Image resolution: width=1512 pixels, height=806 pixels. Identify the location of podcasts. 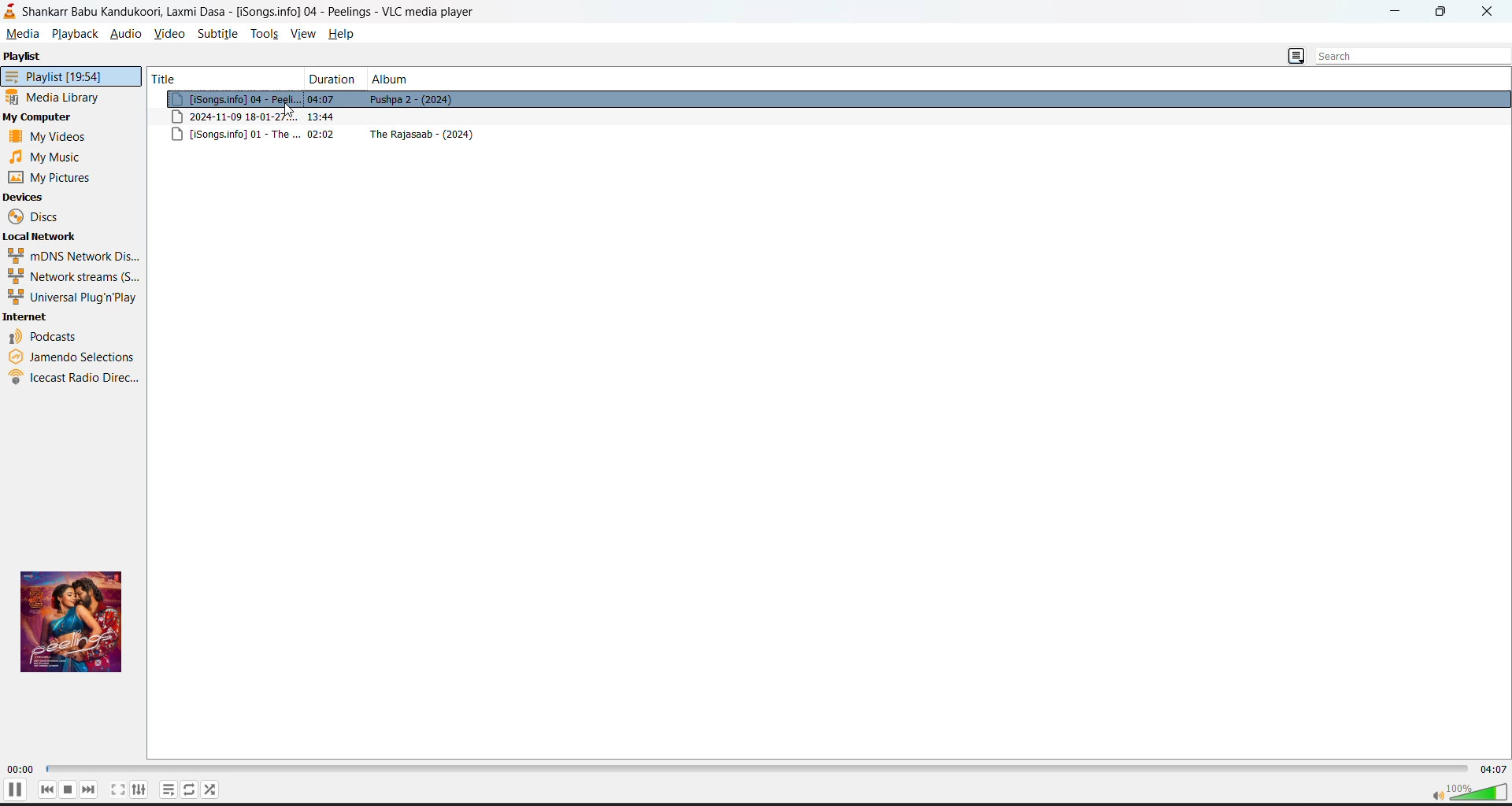
(43, 335).